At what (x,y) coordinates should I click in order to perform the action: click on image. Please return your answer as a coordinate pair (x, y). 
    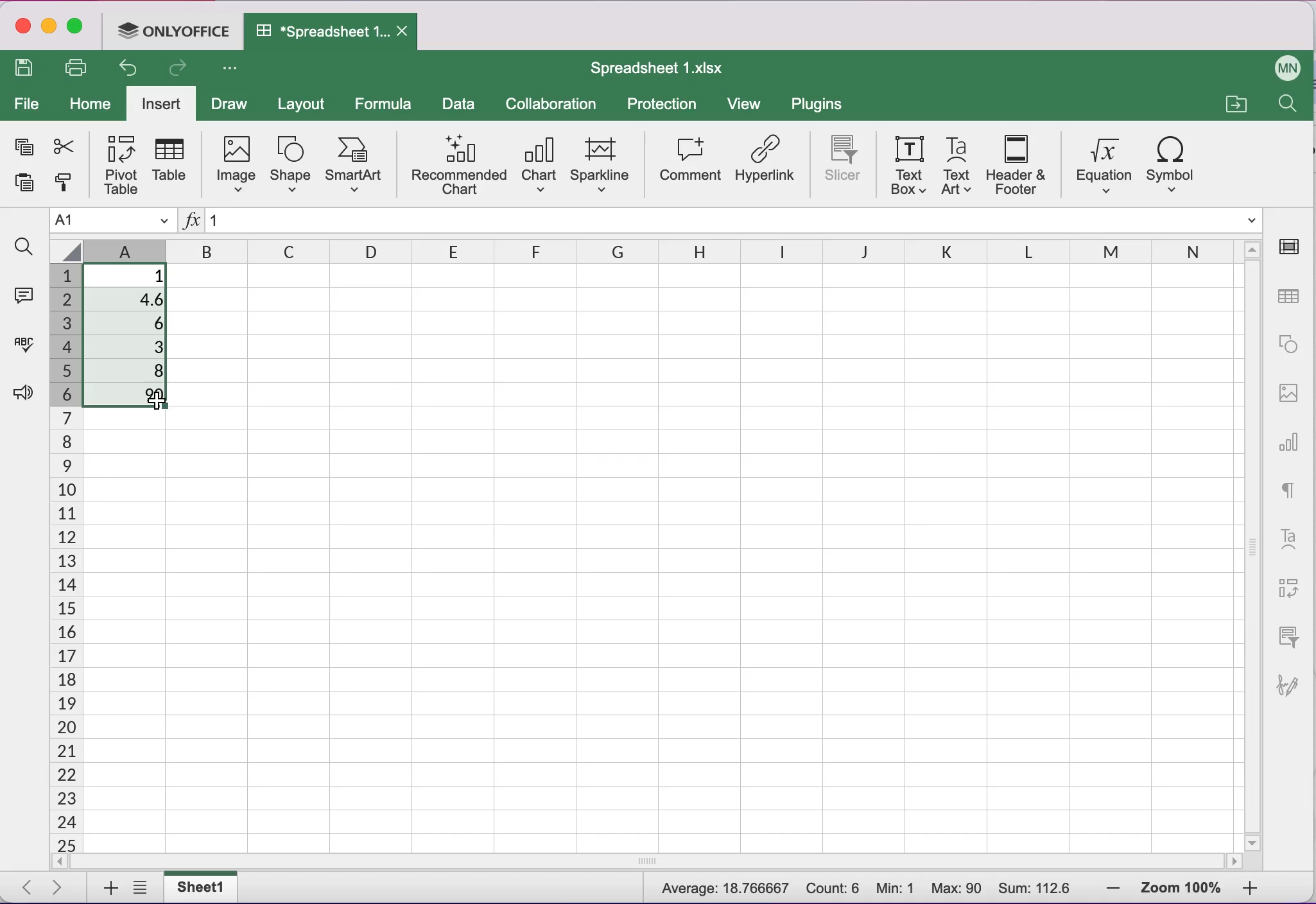
    Looking at the image, I should click on (235, 166).